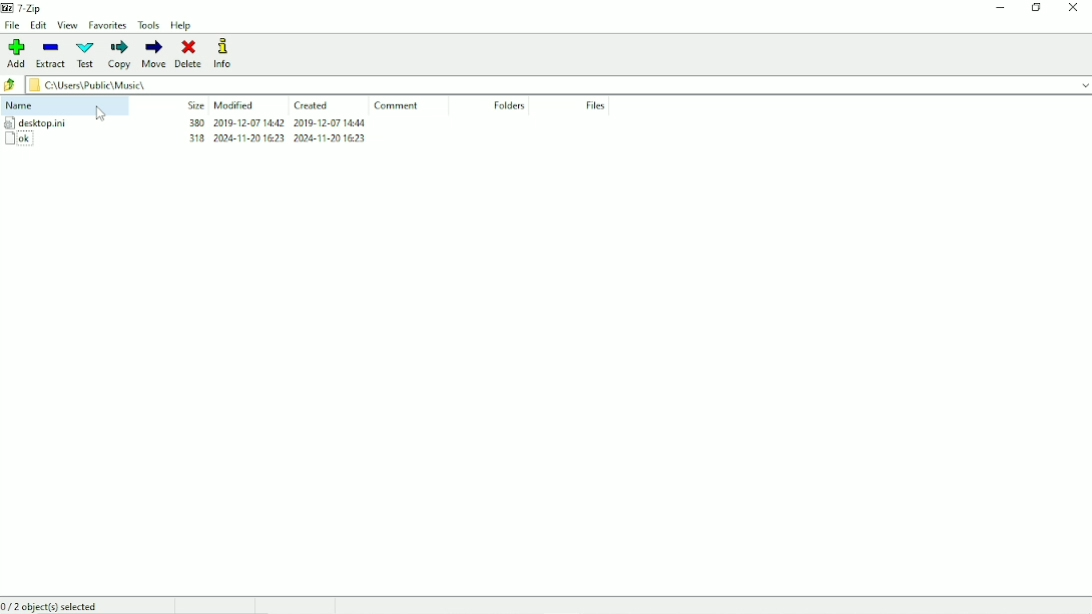 The image size is (1092, 614). What do you see at coordinates (1073, 8) in the screenshot?
I see `Close` at bounding box center [1073, 8].